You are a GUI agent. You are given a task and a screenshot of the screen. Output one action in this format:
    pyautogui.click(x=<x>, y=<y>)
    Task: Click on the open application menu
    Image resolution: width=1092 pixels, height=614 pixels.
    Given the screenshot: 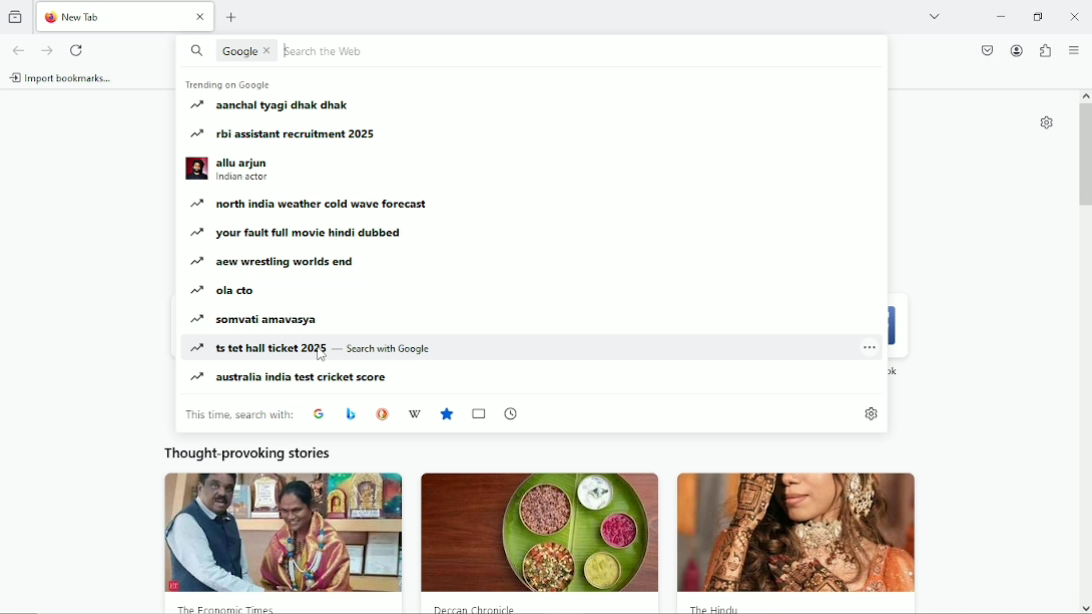 What is the action you would take?
    pyautogui.click(x=1074, y=50)
    